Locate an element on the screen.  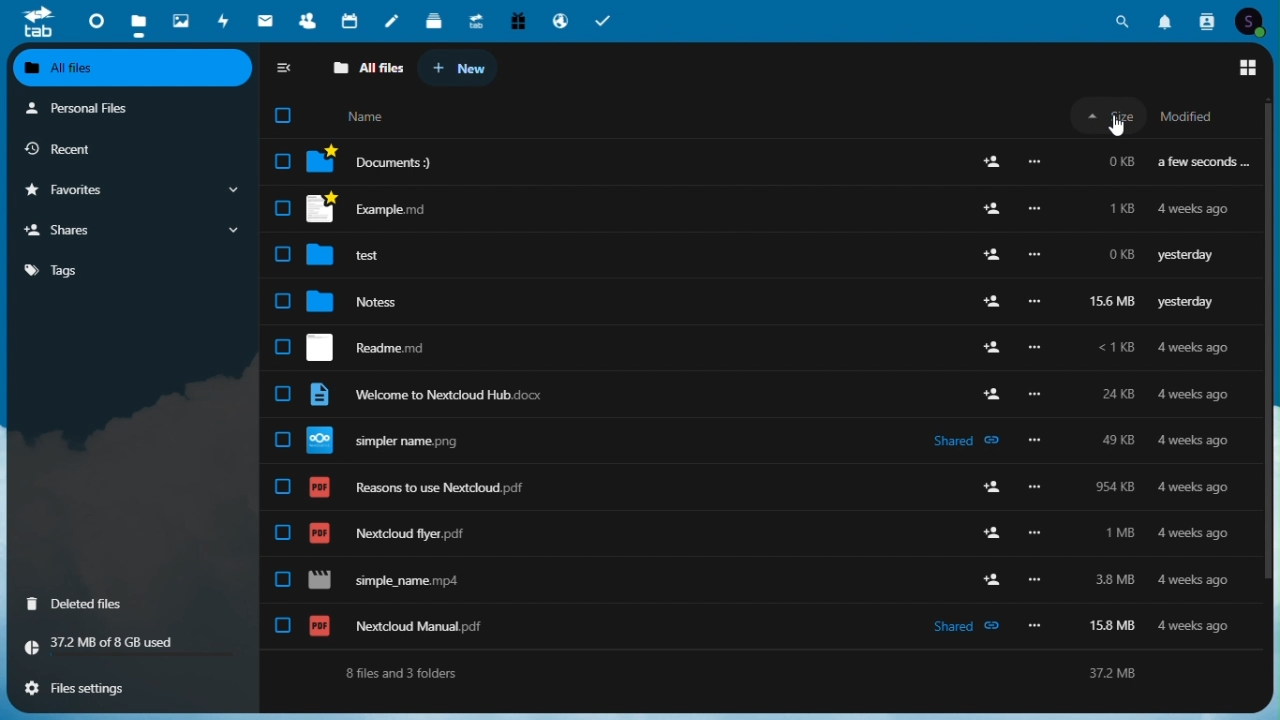
Reasons to use Nextcloud pdf is located at coordinates (755, 535).